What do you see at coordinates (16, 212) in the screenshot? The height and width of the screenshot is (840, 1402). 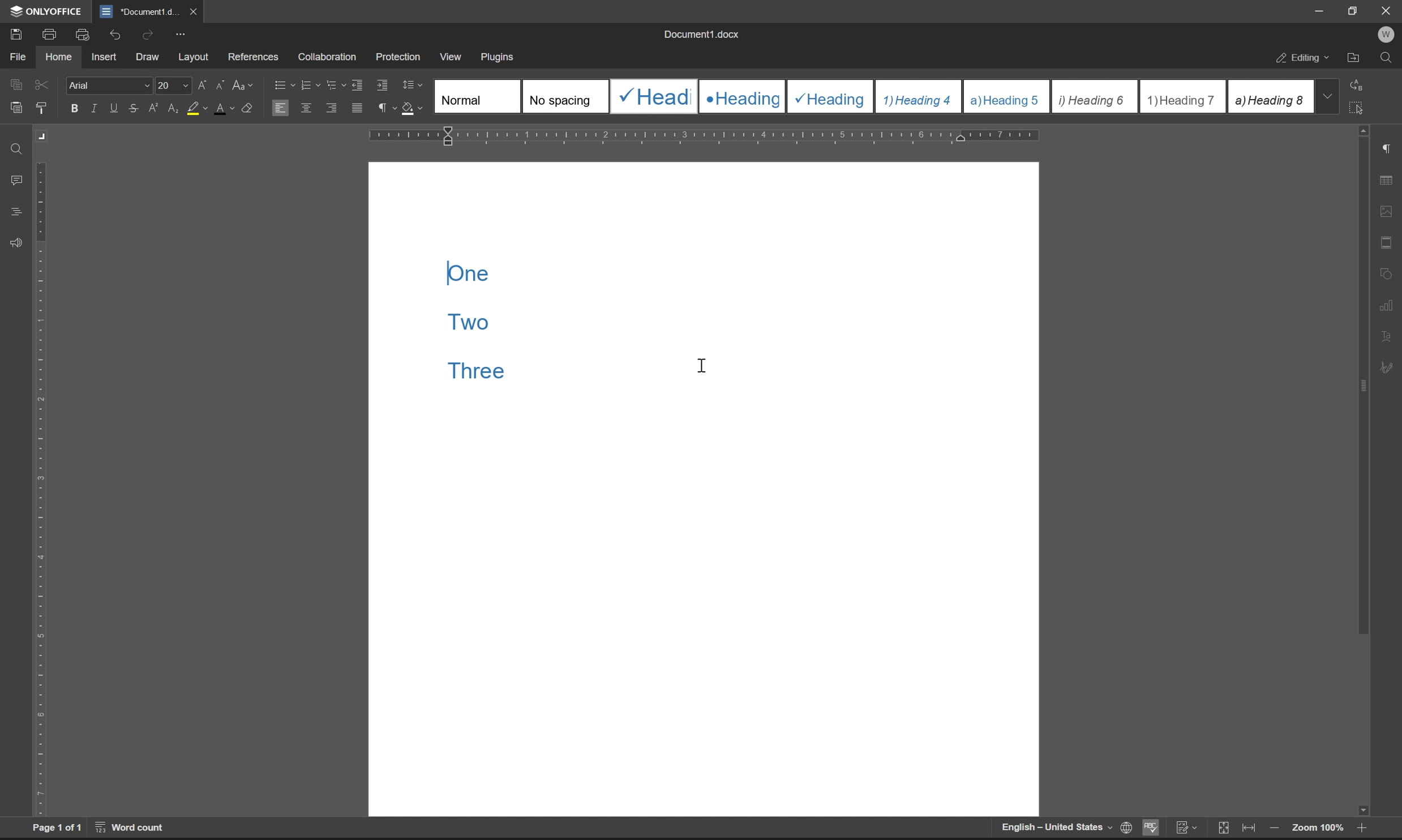 I see `headings` at bounding box center [16, 212].